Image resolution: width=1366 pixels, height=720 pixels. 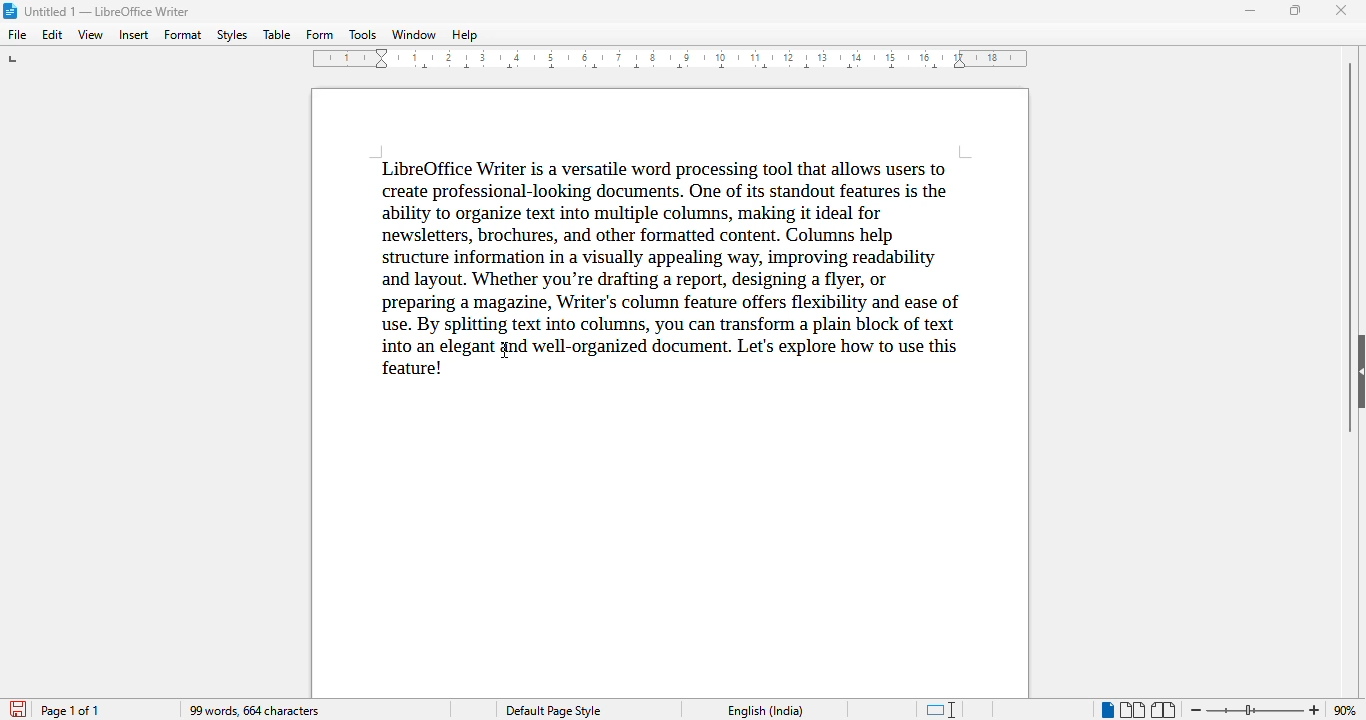 I want to click on cursor, so click(x=507, y=352).